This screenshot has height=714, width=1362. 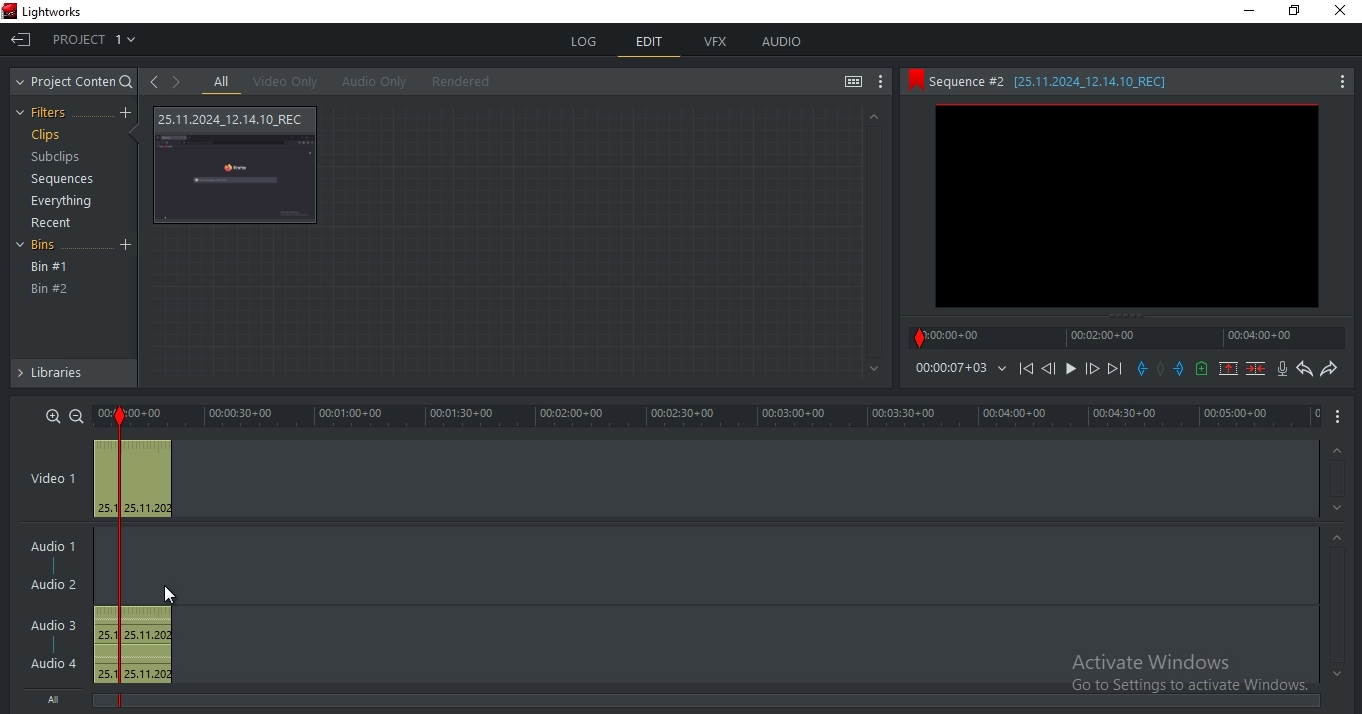 What do you see at coordinates (1162, 369) in the screenshot?
I see `Add mark` at bounding box center [1162, 369].